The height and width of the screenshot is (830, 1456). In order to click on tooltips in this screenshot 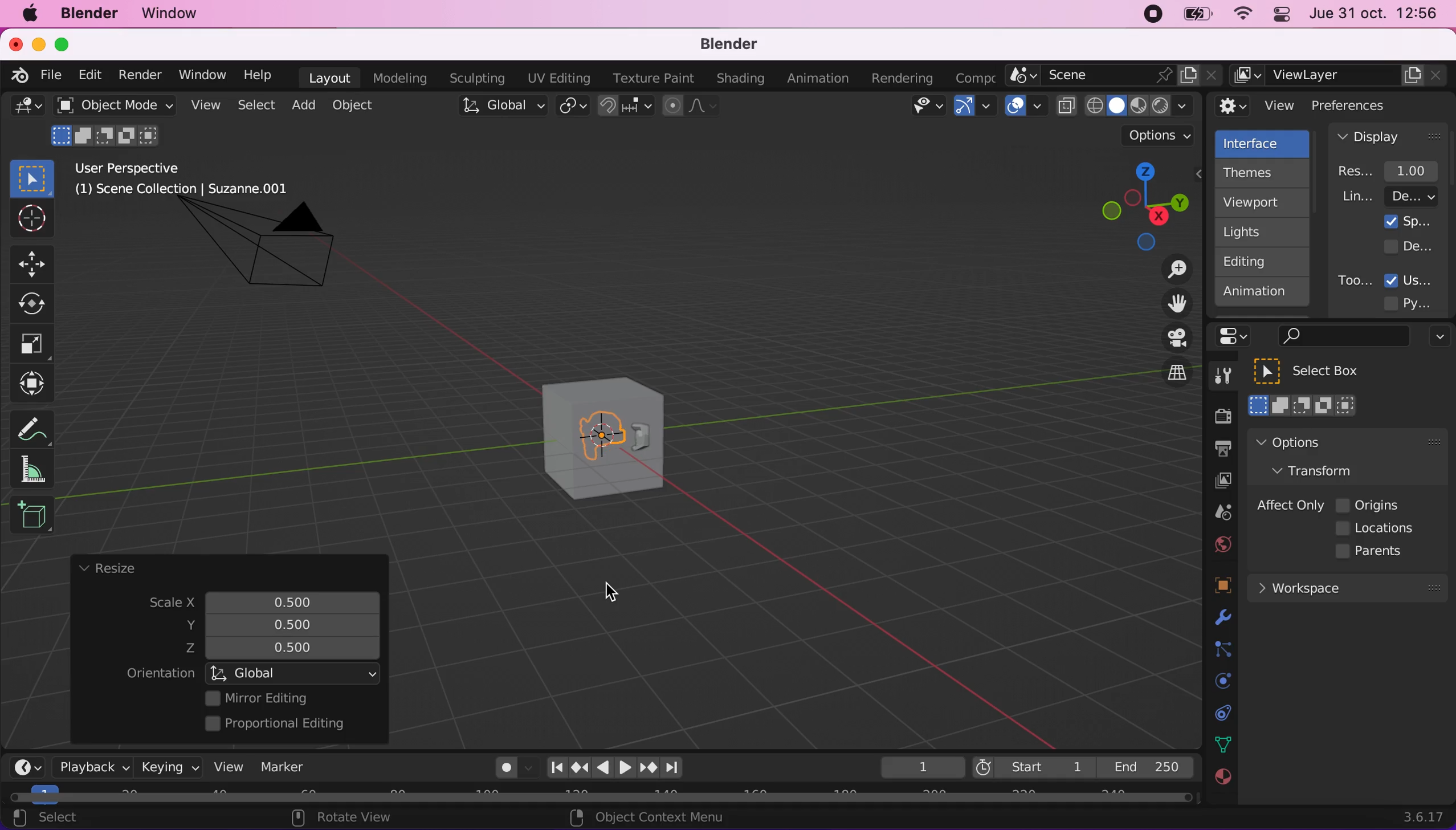, I will do `click(1354, 280)`.